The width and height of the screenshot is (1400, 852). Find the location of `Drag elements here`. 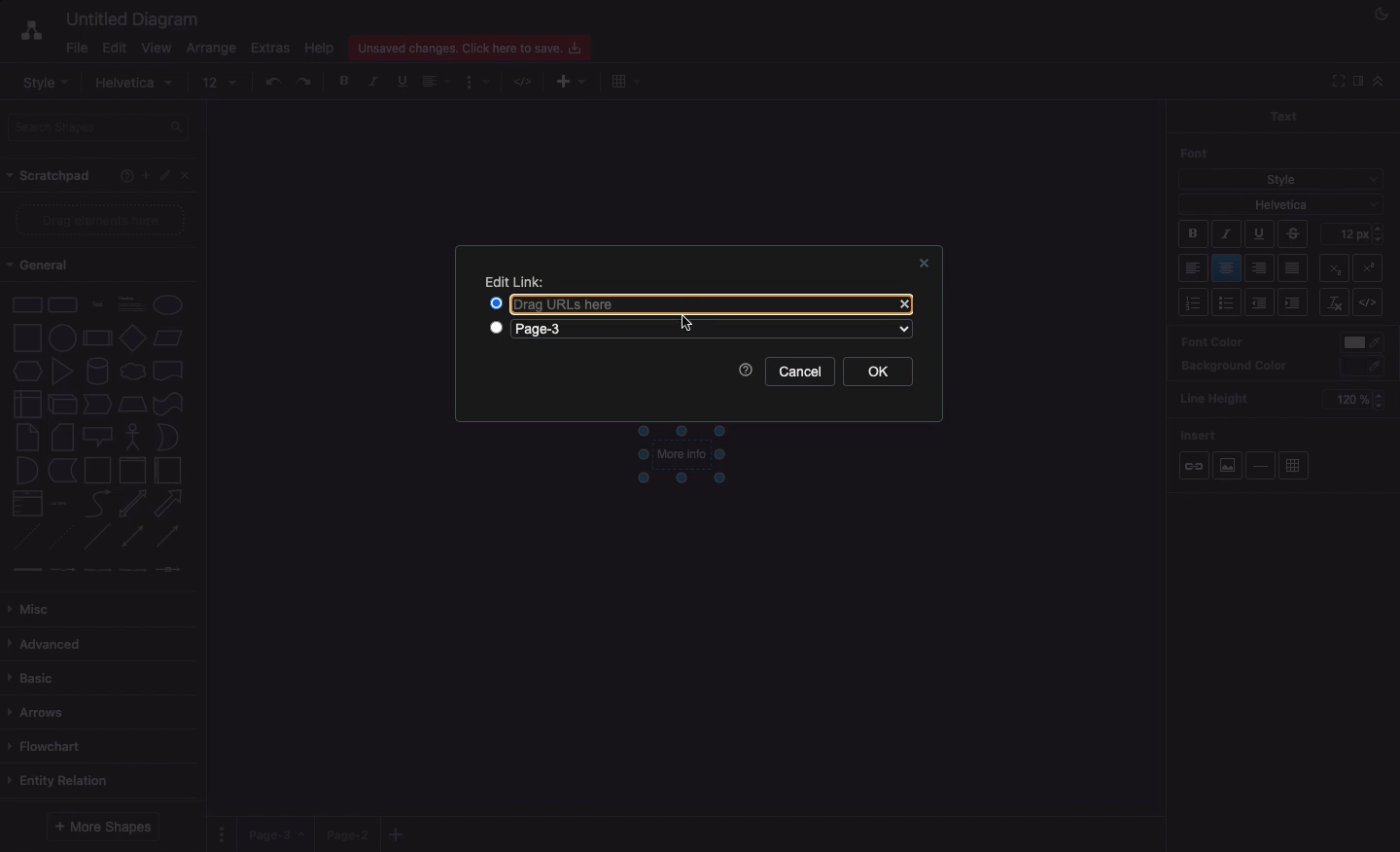

Drag elements here is located at coordinates (102, 219).